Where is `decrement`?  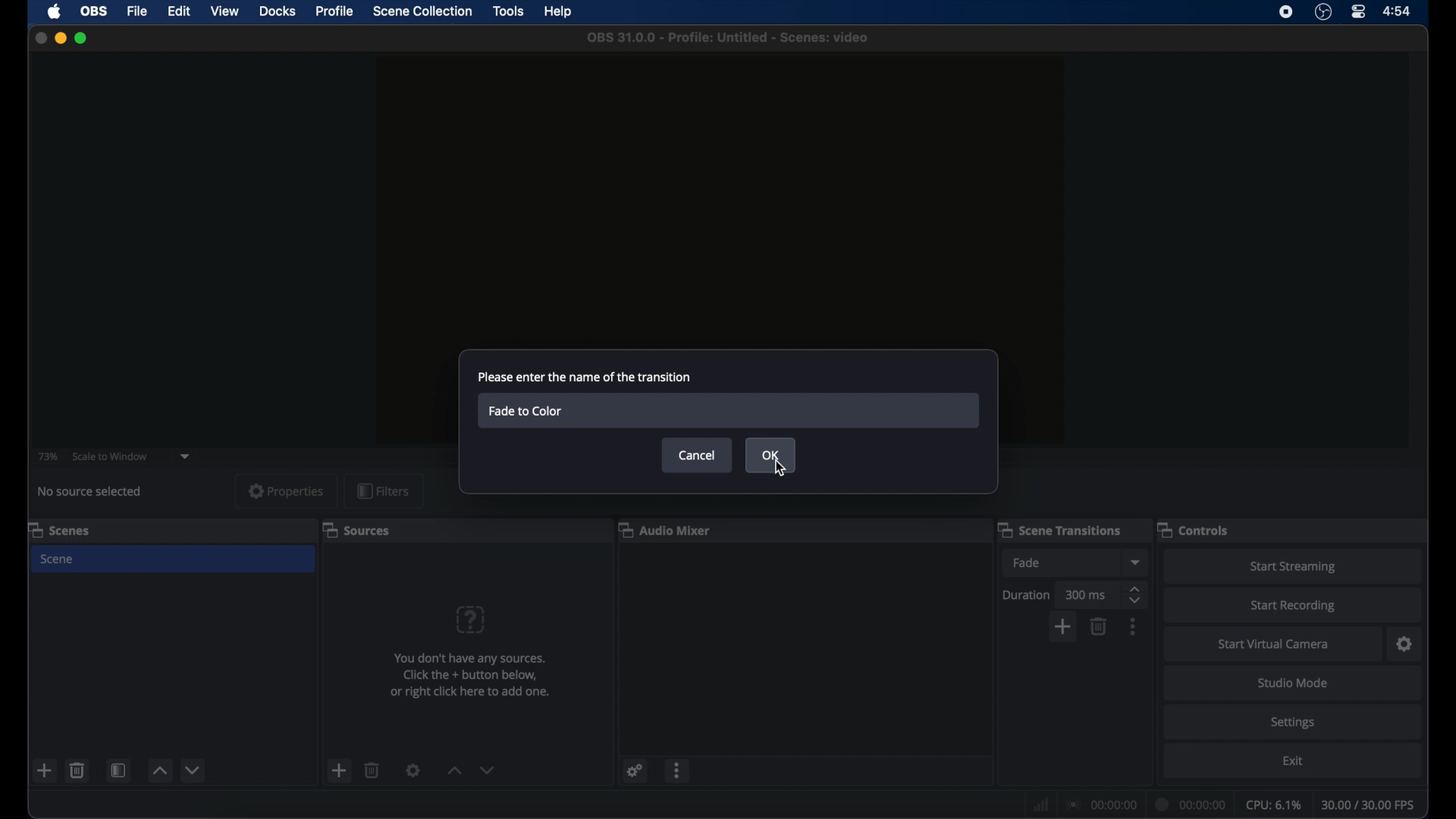 decrement is located at coordinates (192, 770).